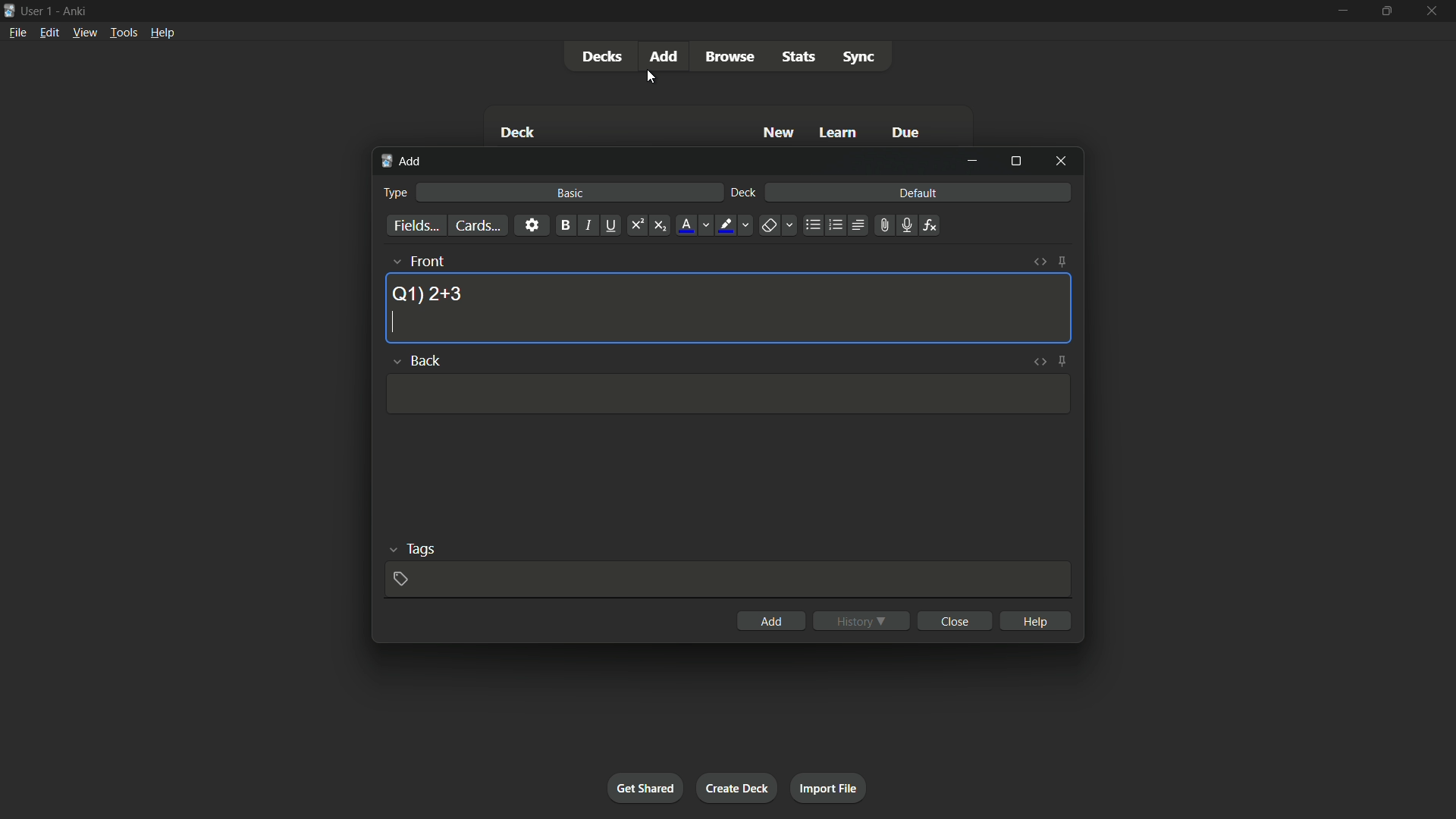 The height and width of the screenshot is (819, 1456). Describe the element at coordinates (827, 789) in the screenshot. I see `import file` at that location.